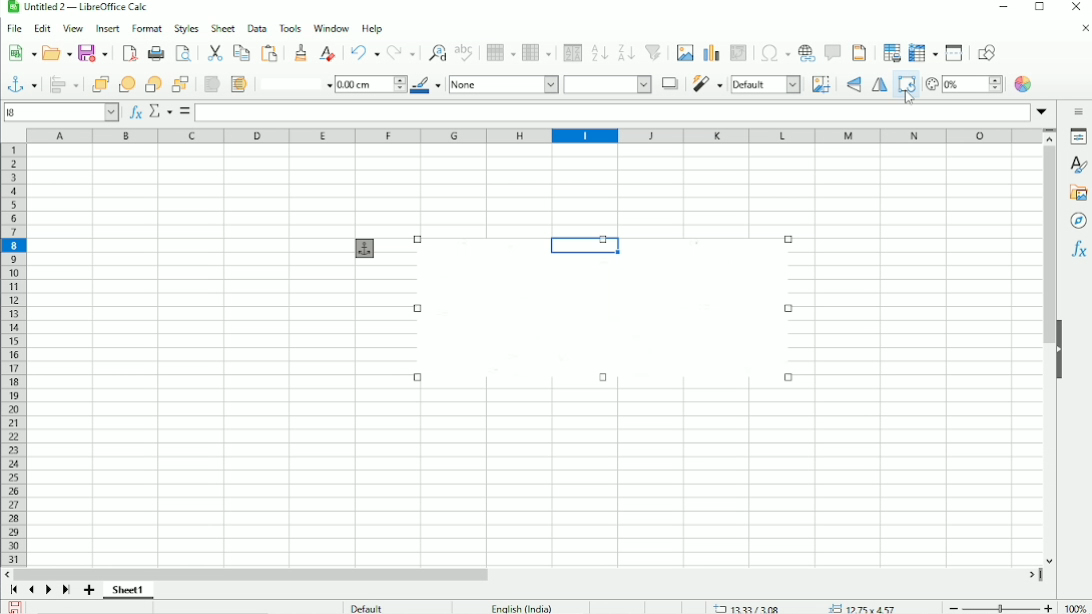 The width and height of the screenshot is (1092, 614). Describe the element at coordinates (128, 591) in the screenshot. I see `Sheet 1` at that location.